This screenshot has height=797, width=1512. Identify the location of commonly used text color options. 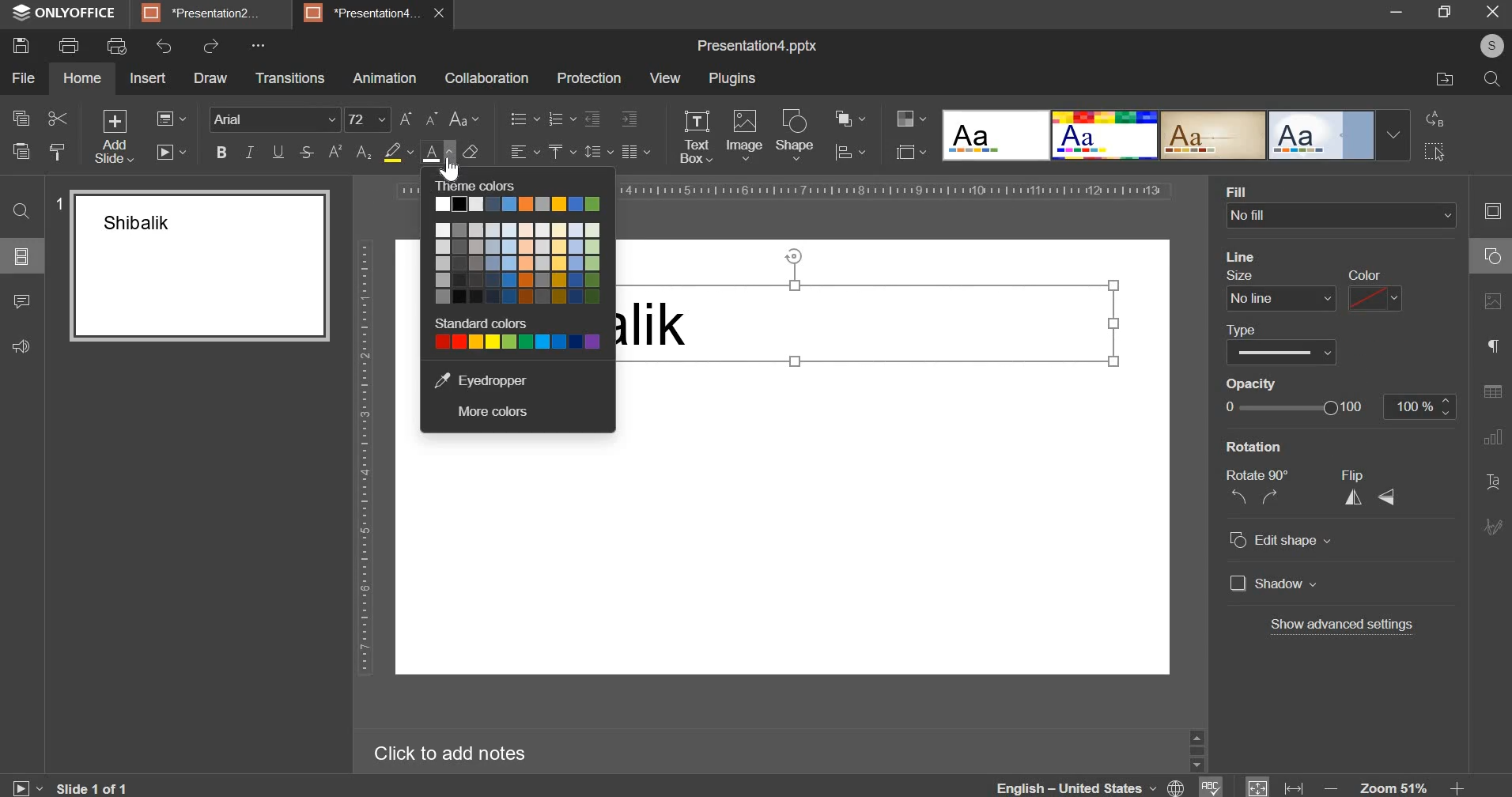
(517, 263).